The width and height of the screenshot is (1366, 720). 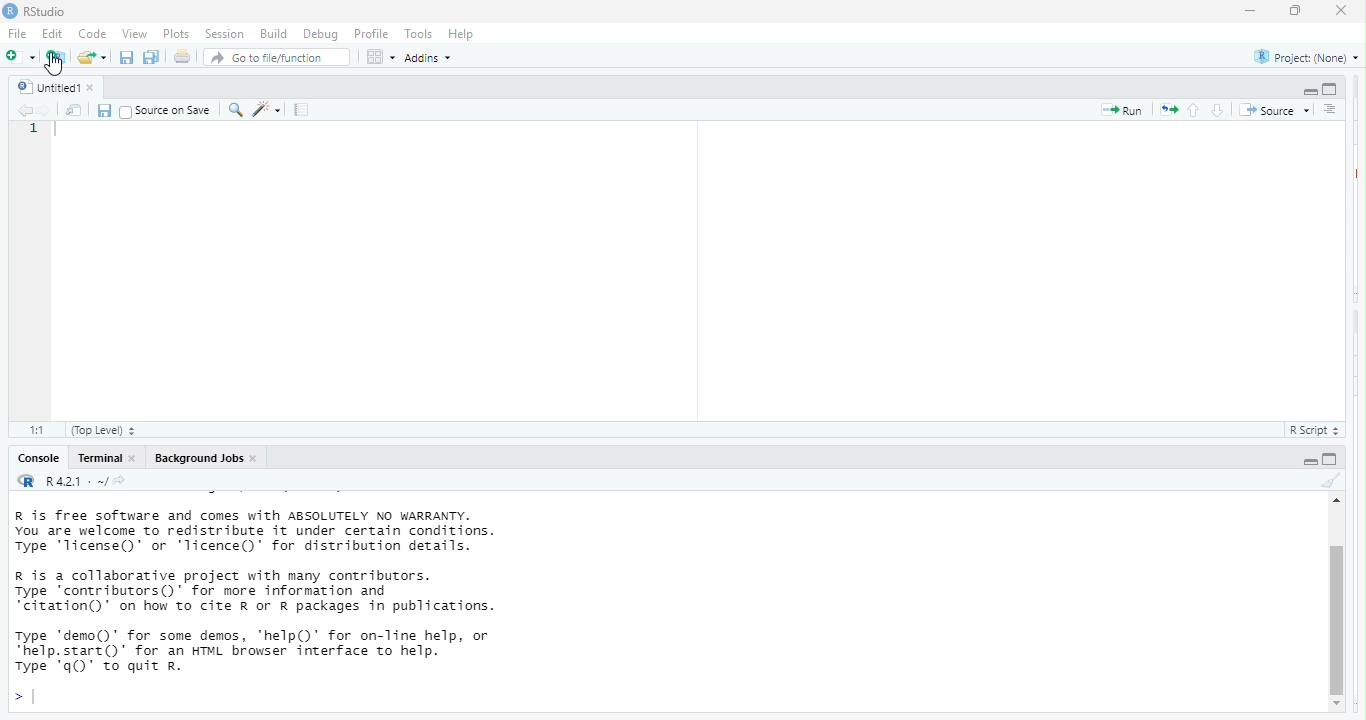 I want to click on save current document, so click(x=105, y=110).